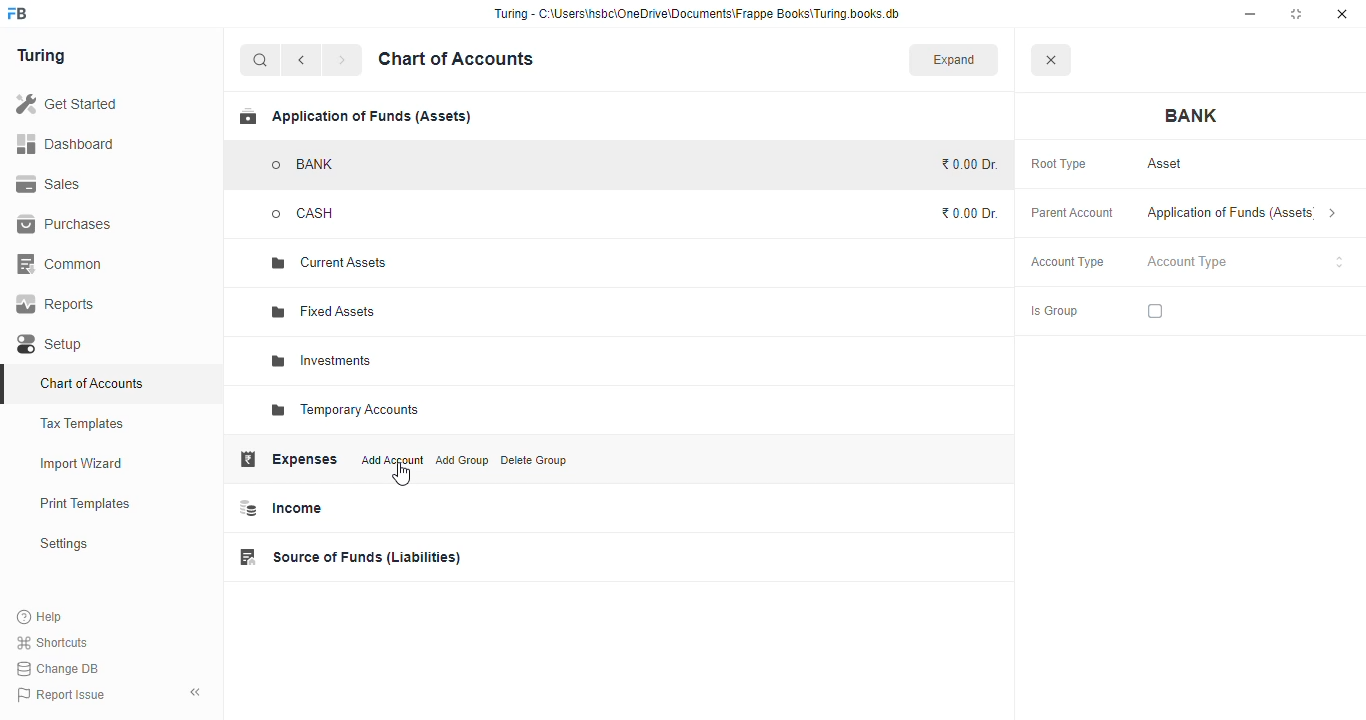 This screenshot has height=720, width=1366. What do you see at coordinates (329, 264) in the screenshot?
I see `current assets` at bounding box center [329, 264].